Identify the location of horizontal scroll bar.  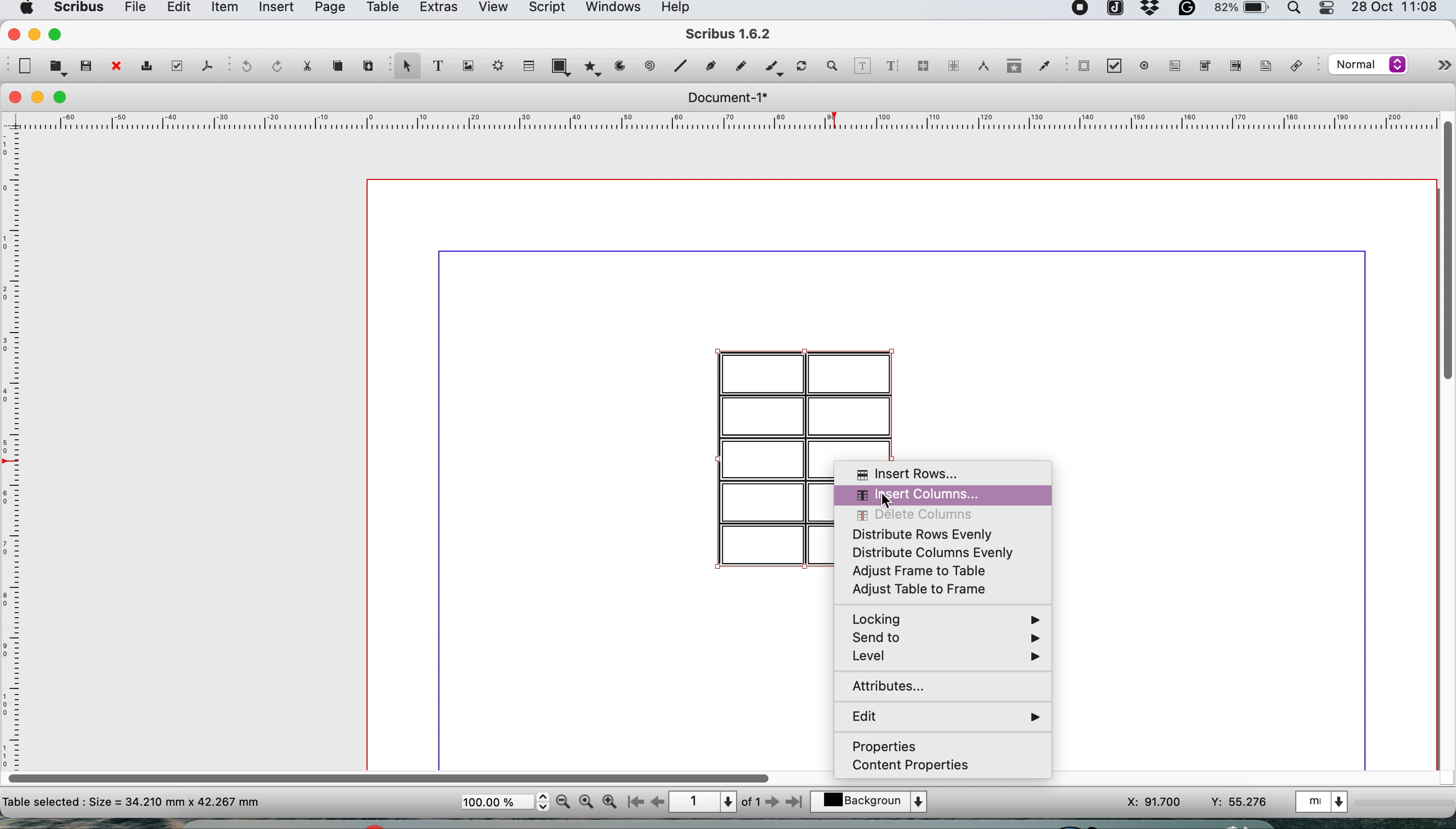
(392, 774).